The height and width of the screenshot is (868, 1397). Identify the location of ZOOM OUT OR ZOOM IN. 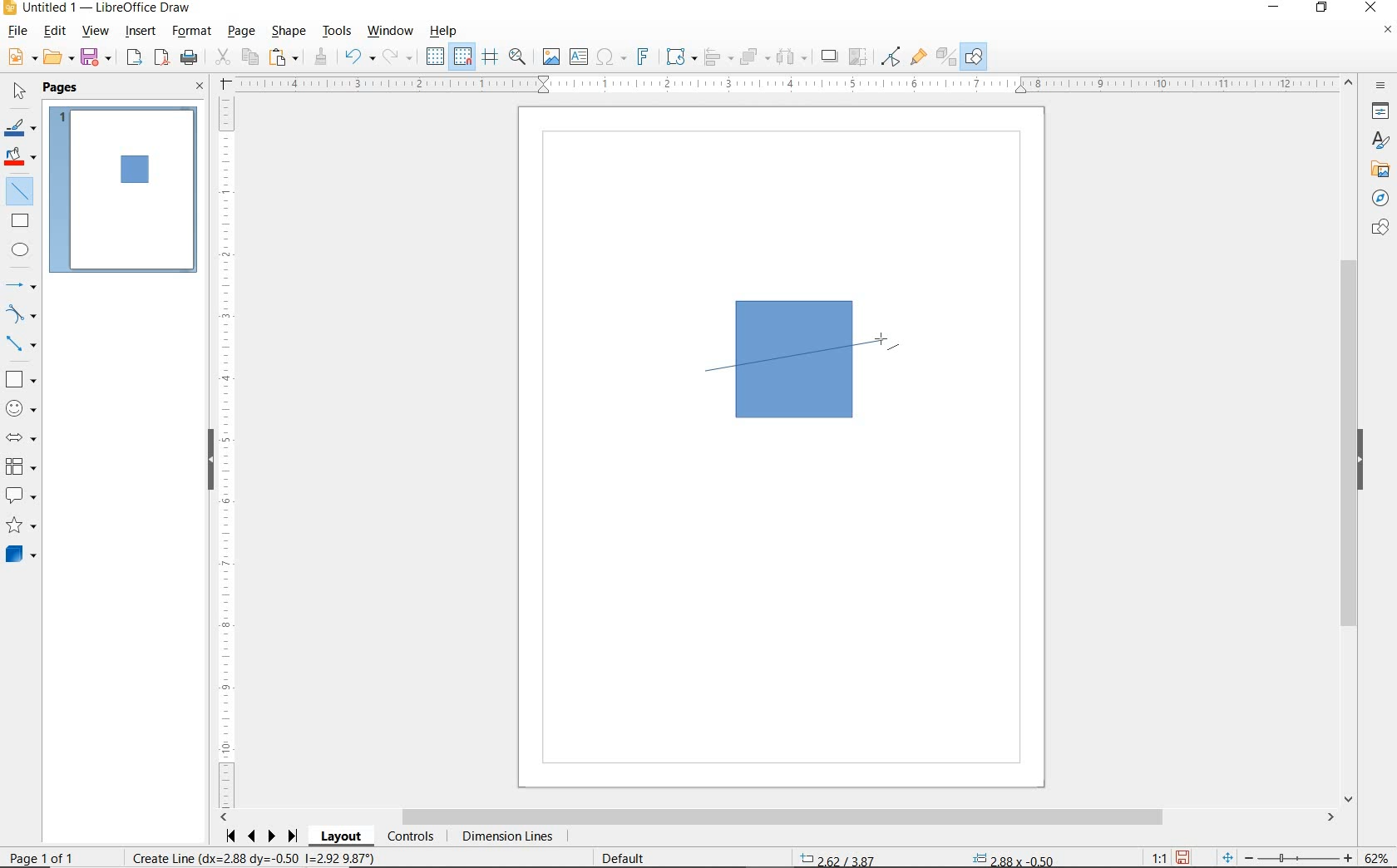
(1288, 855).